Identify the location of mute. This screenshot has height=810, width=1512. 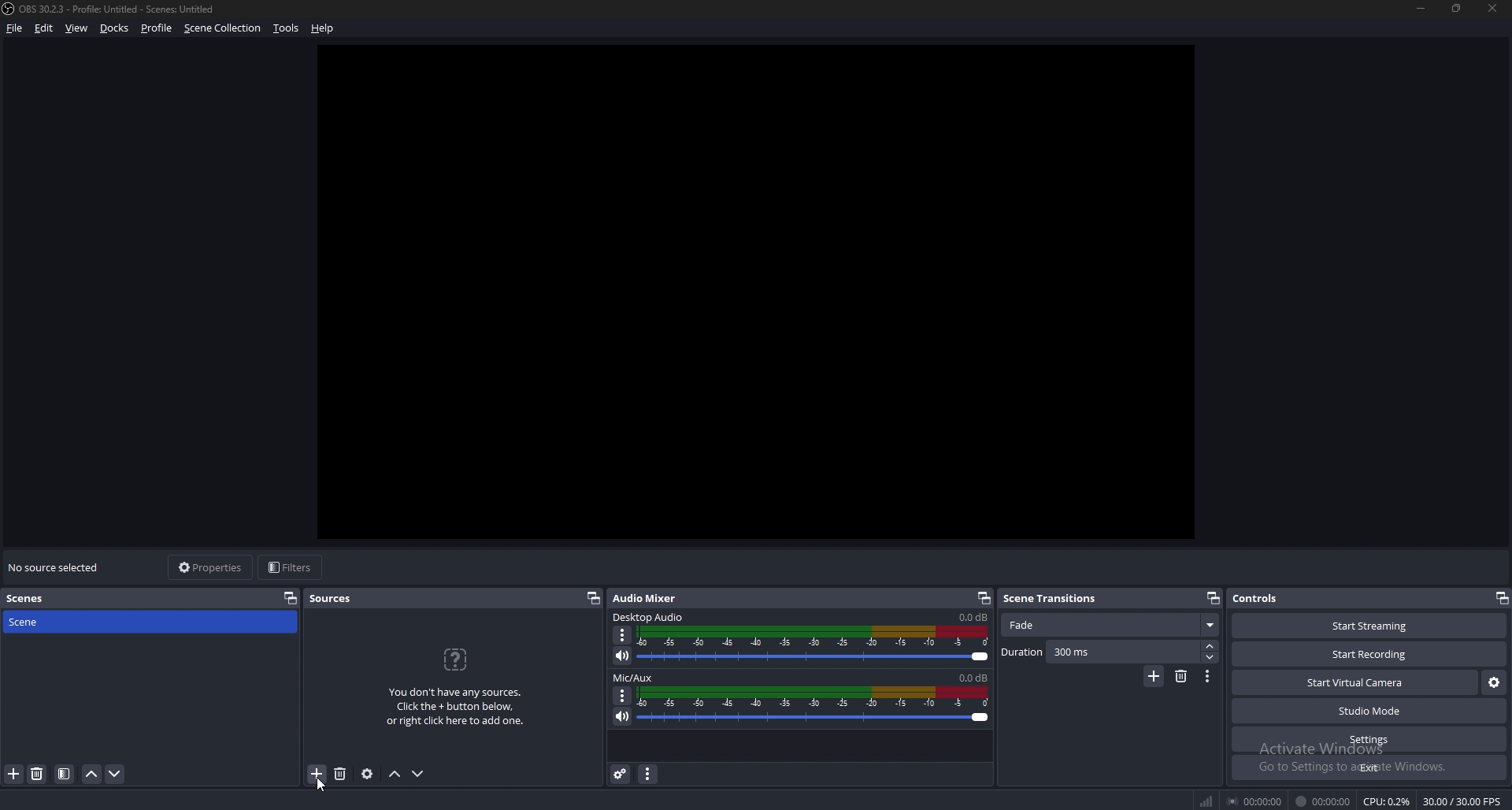
(622, 656).